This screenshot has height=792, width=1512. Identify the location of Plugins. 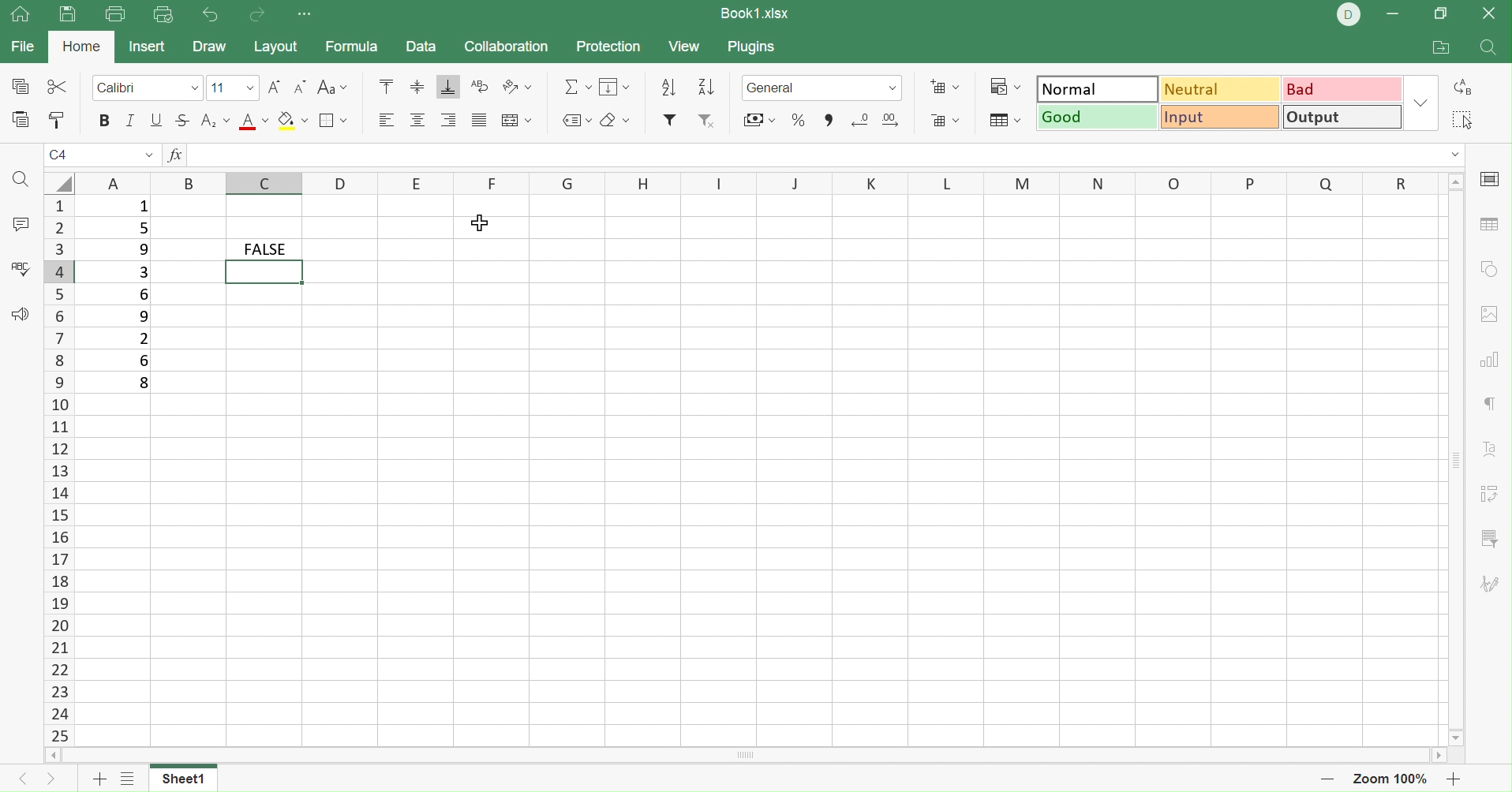
(755, 47).